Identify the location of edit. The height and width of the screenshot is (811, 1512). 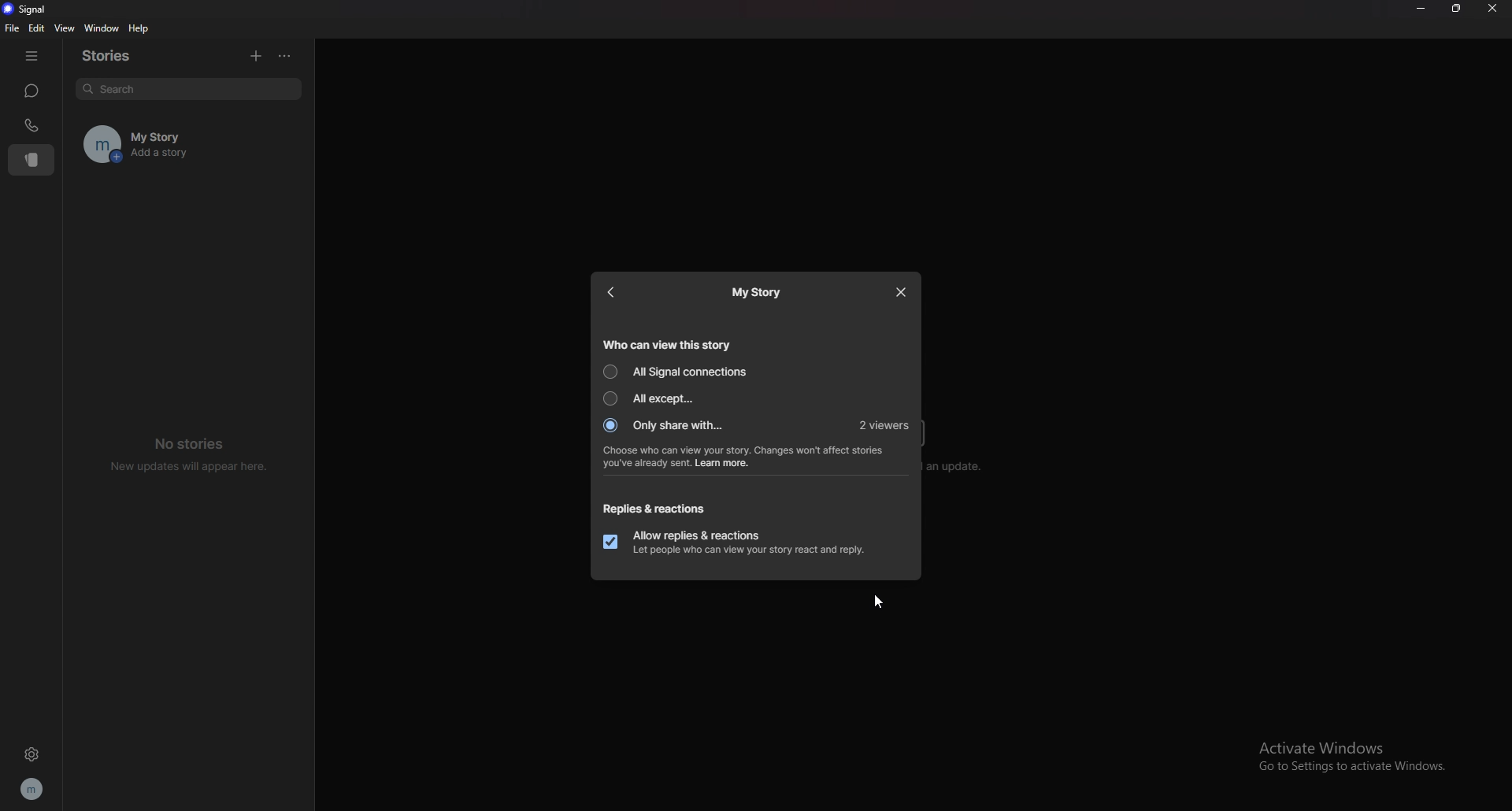
(36, 28).